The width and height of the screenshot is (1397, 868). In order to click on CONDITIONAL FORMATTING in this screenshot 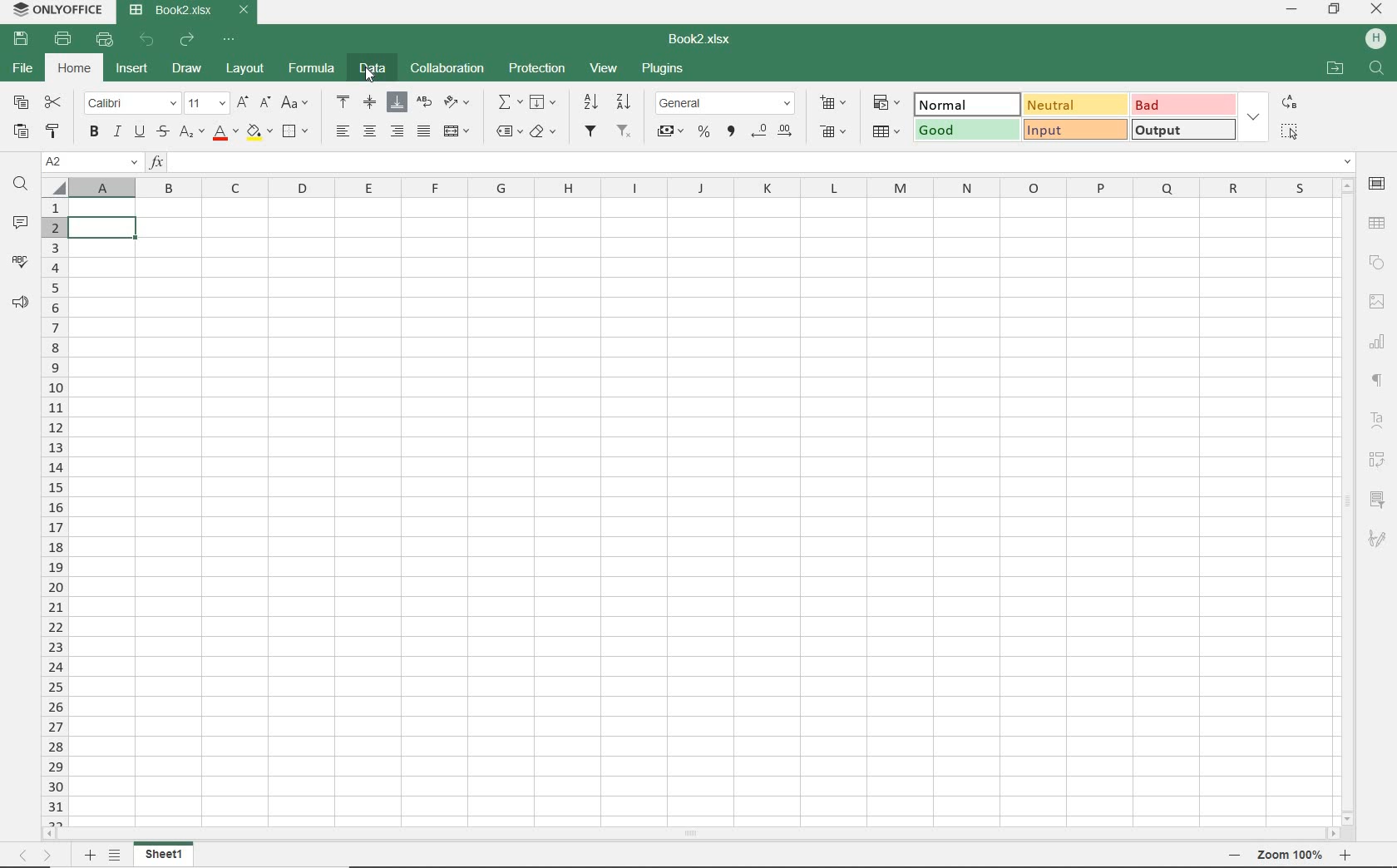, I will do `click(885, 105)`.